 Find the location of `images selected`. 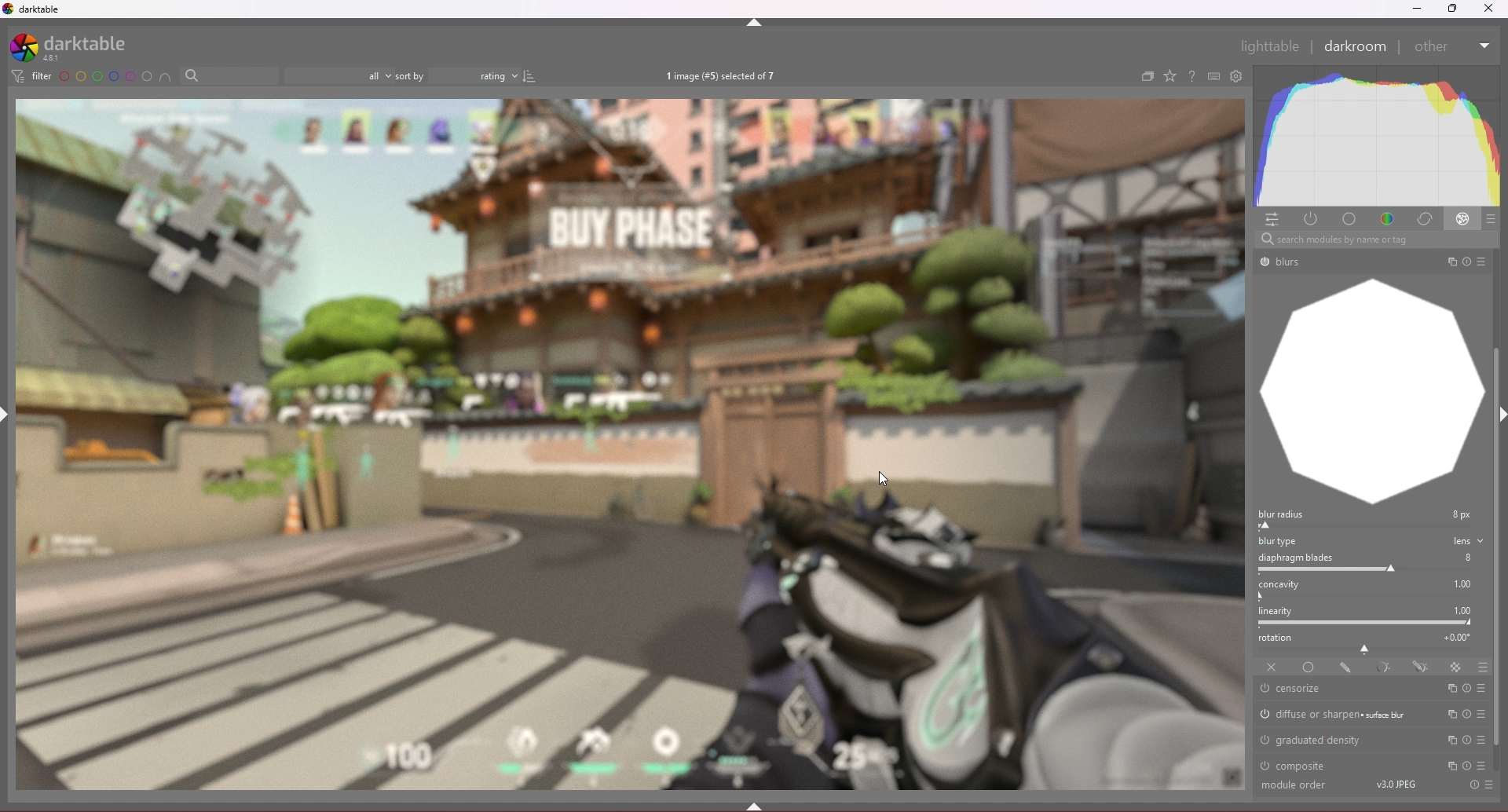

images selected is located at coordinates (723, 75).